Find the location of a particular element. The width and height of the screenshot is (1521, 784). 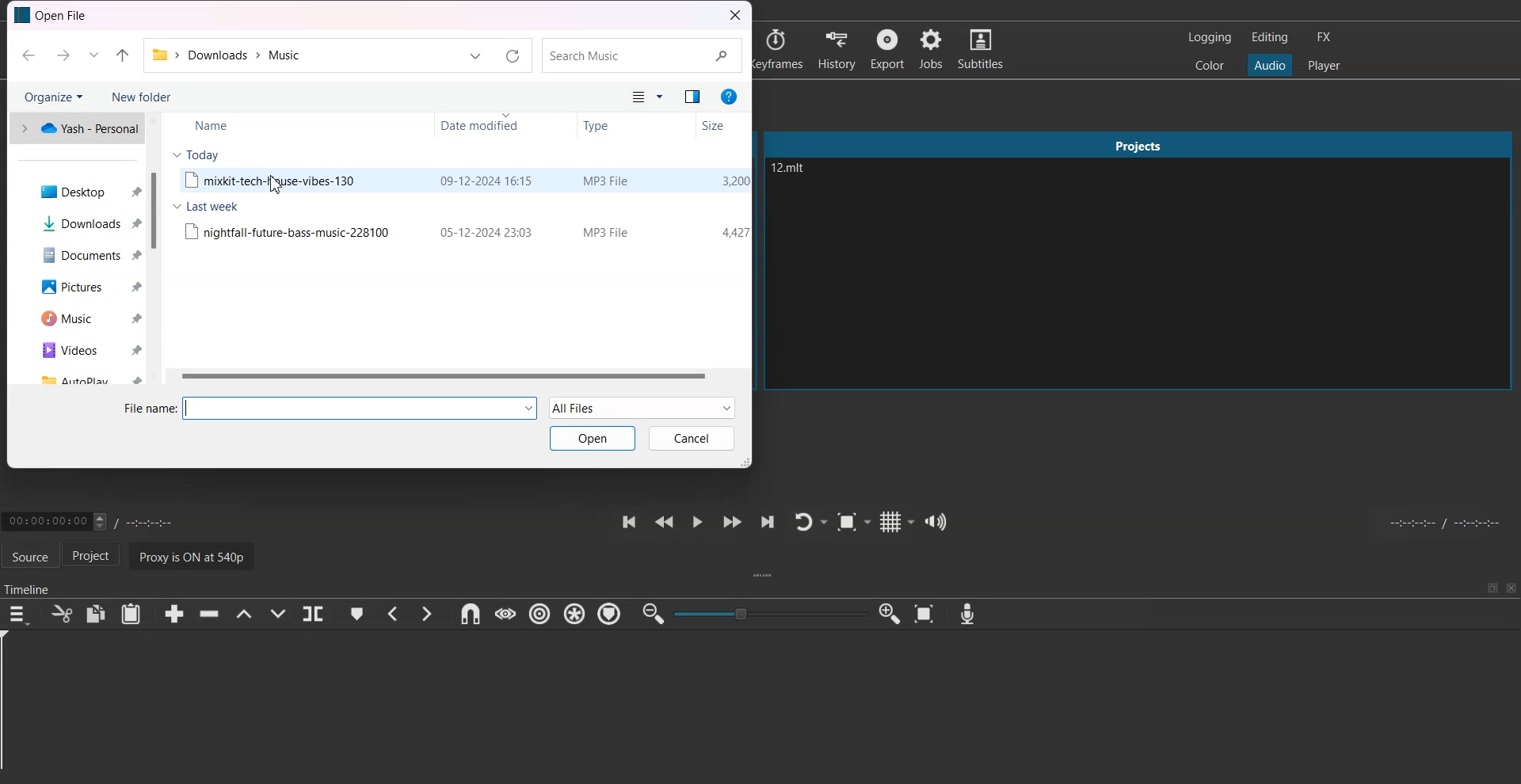

Vertical Scroll bar is located at coordinates (155, 249).